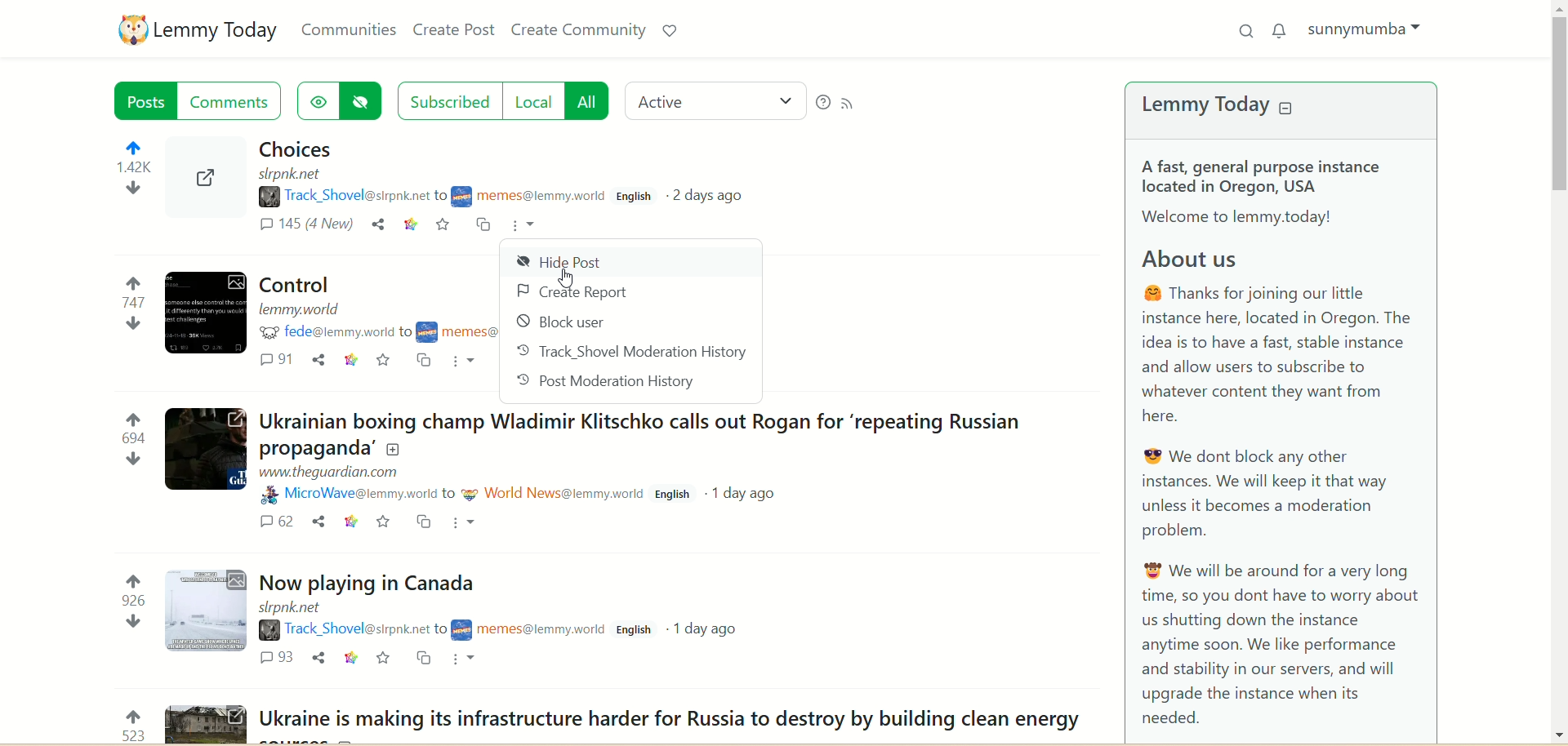 This screenshot has width=1568, height=746. I want to click on votes up and down, so click(119, 725).